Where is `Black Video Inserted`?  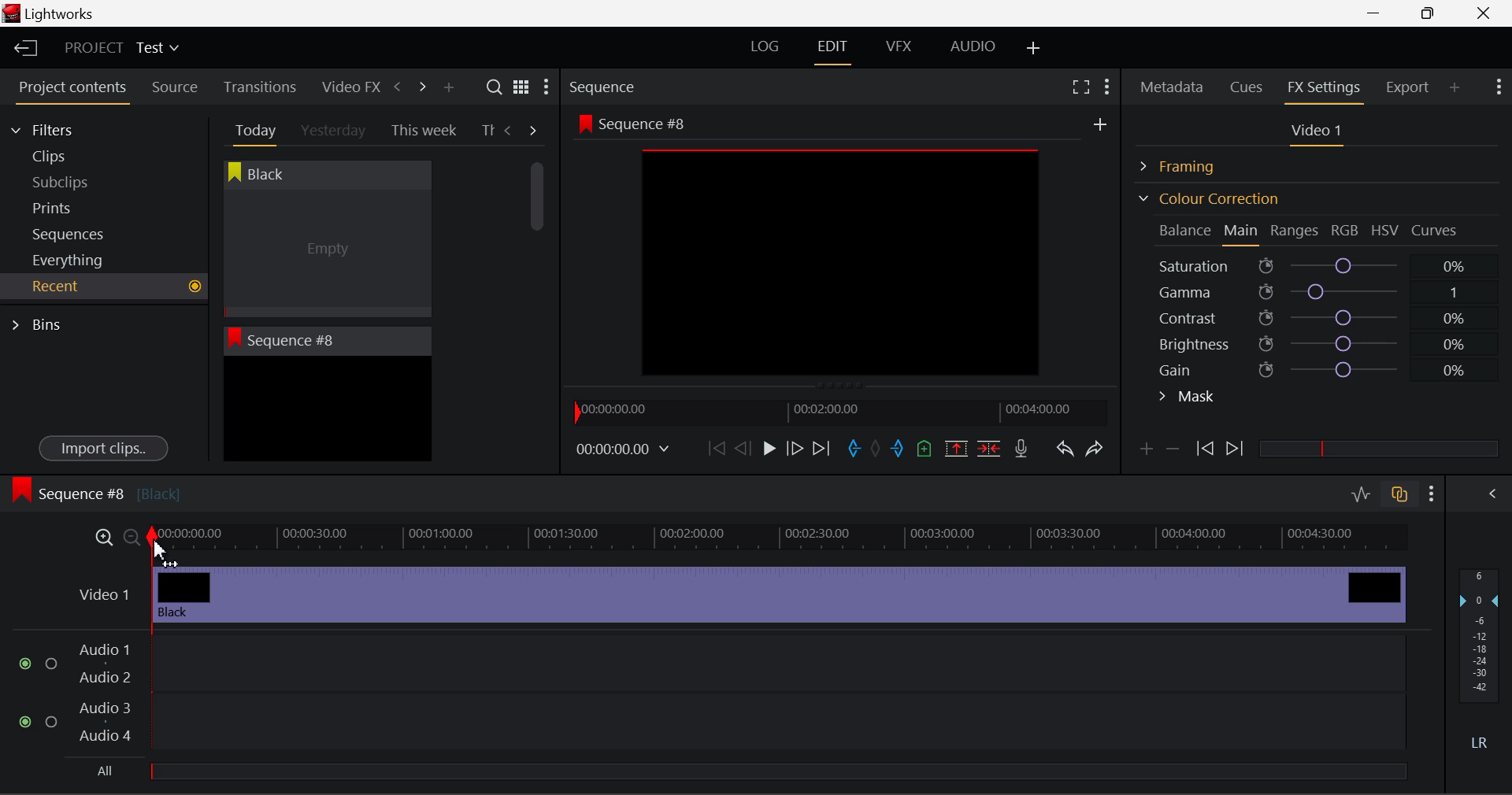
Black Video Inserted is located at coordinates (779, 593).